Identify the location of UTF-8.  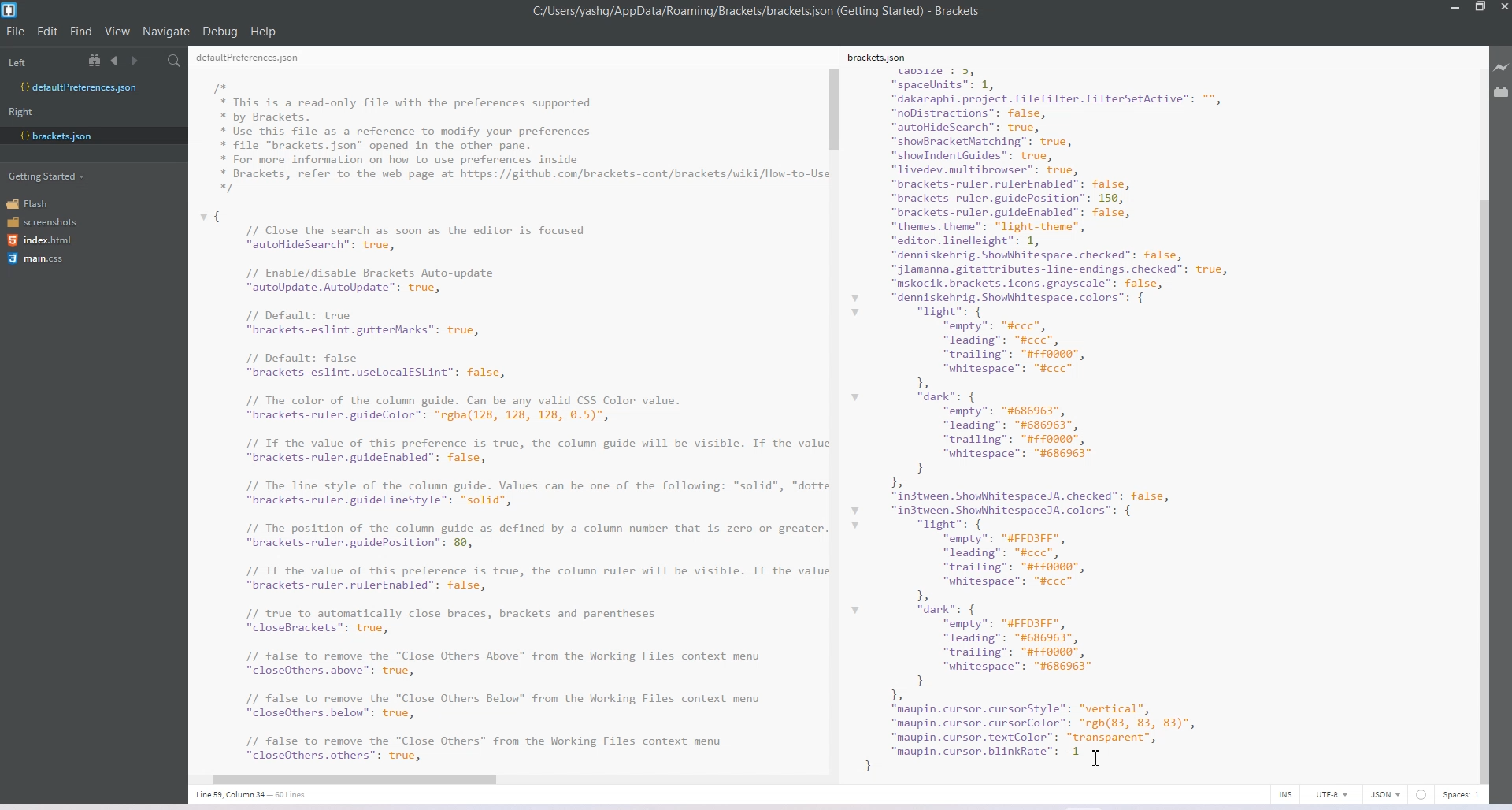
(1332, 794).